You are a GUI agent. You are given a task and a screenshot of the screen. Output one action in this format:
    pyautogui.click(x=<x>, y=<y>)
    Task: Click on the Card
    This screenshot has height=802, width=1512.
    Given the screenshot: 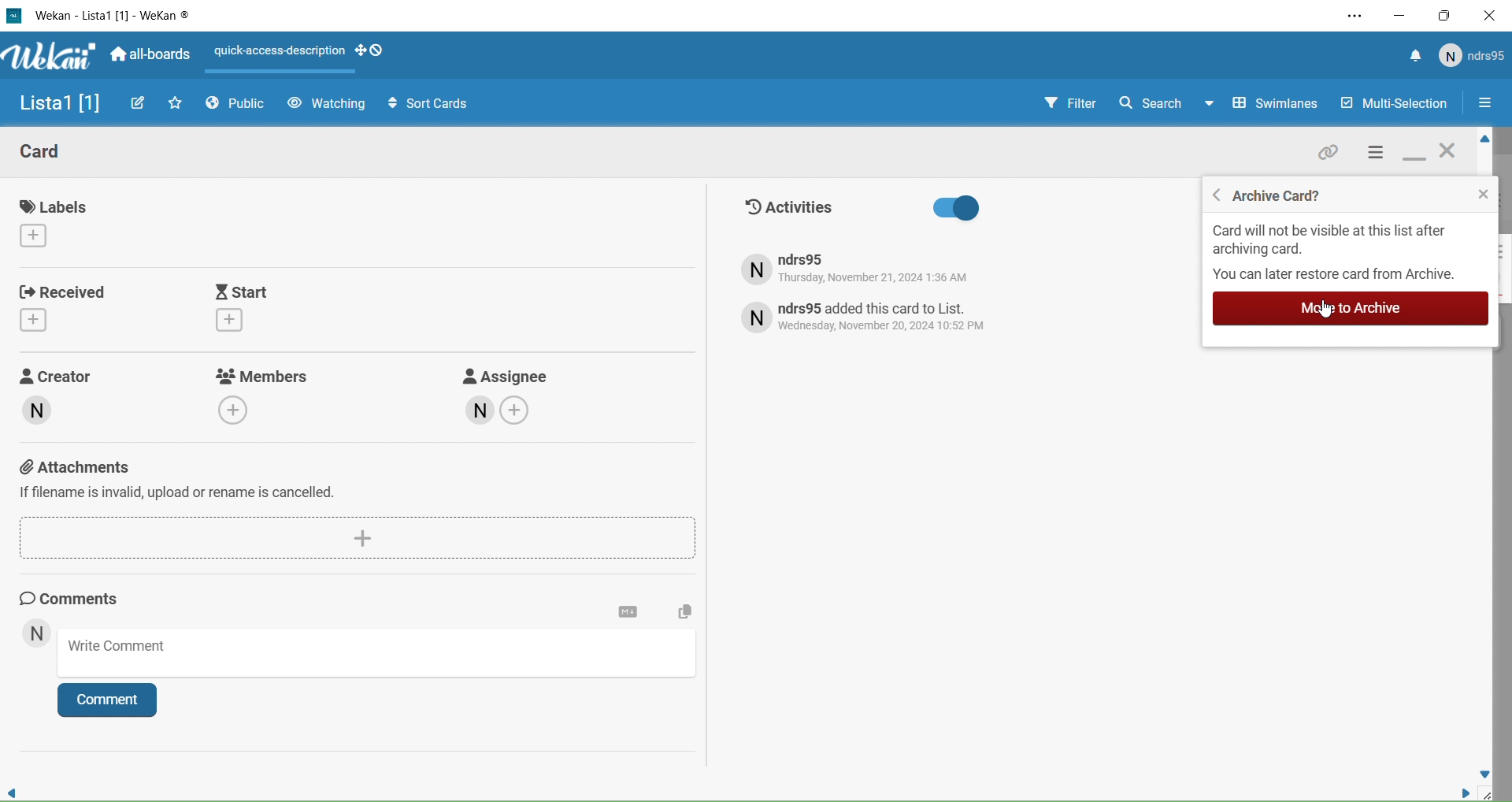 What is the action you would take?
    pyautogui.click(x=65, y=152)
    